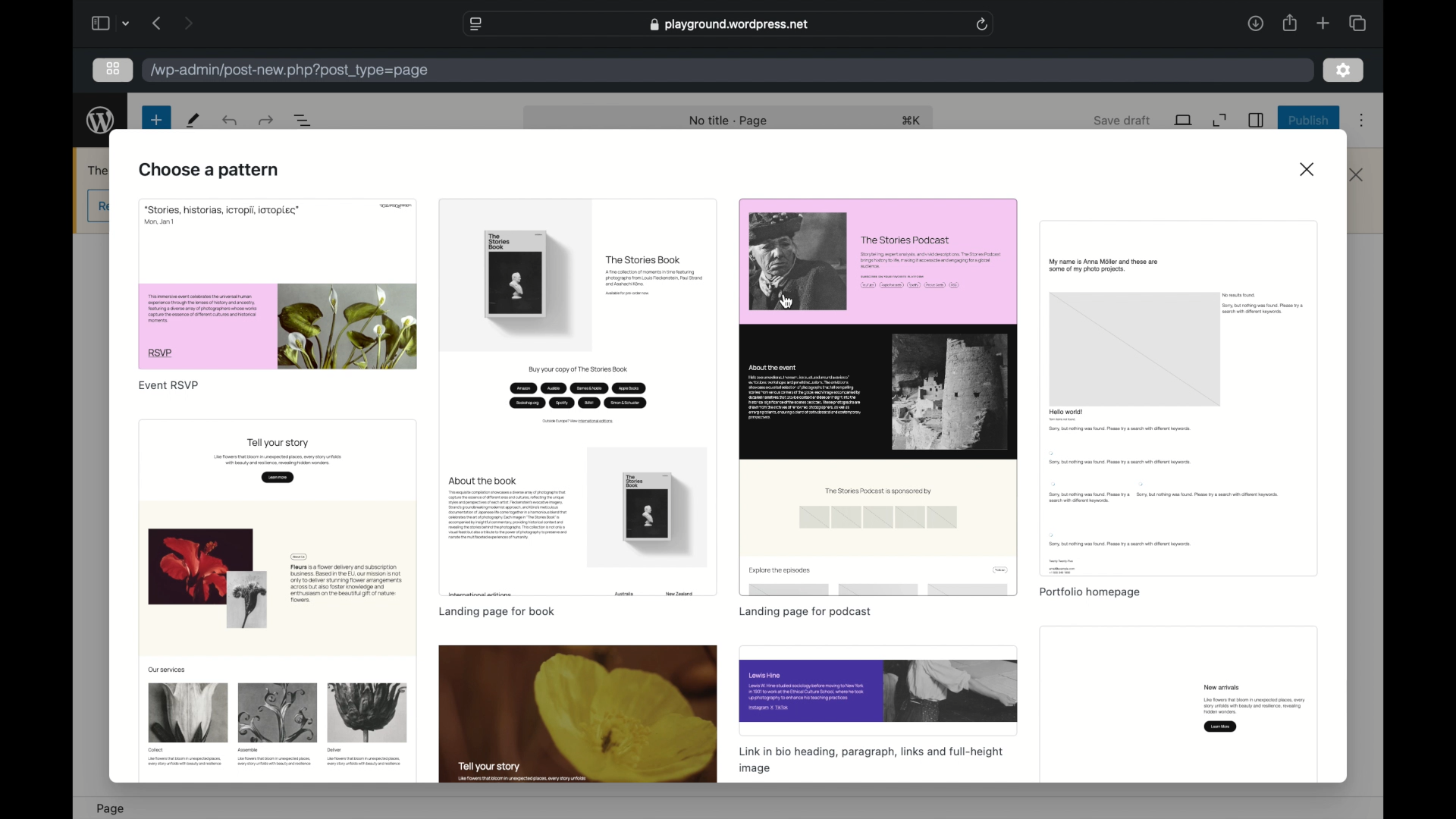  I want to click on save draft, so click(1122, 120).